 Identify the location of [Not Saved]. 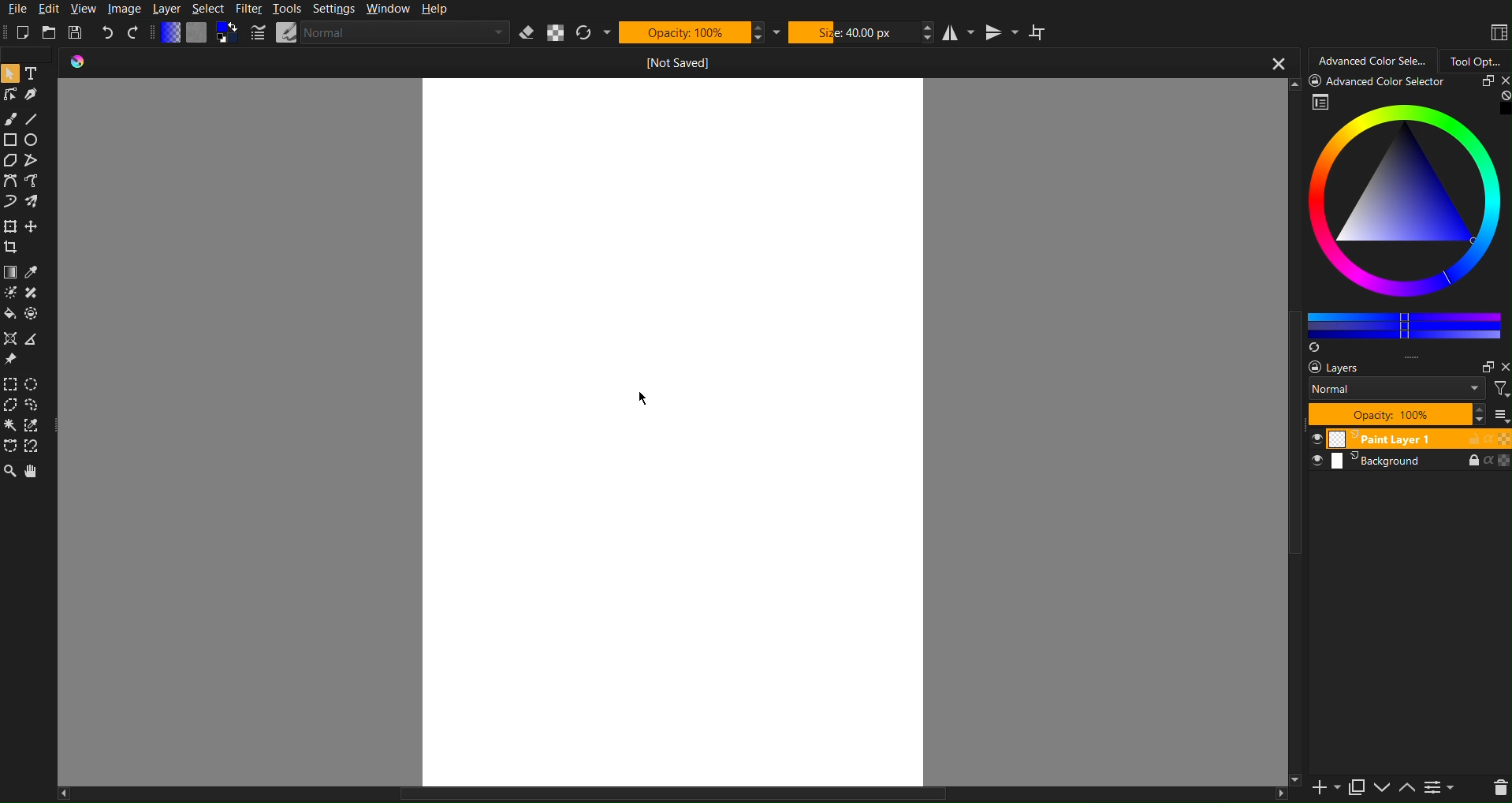
(679, 62).